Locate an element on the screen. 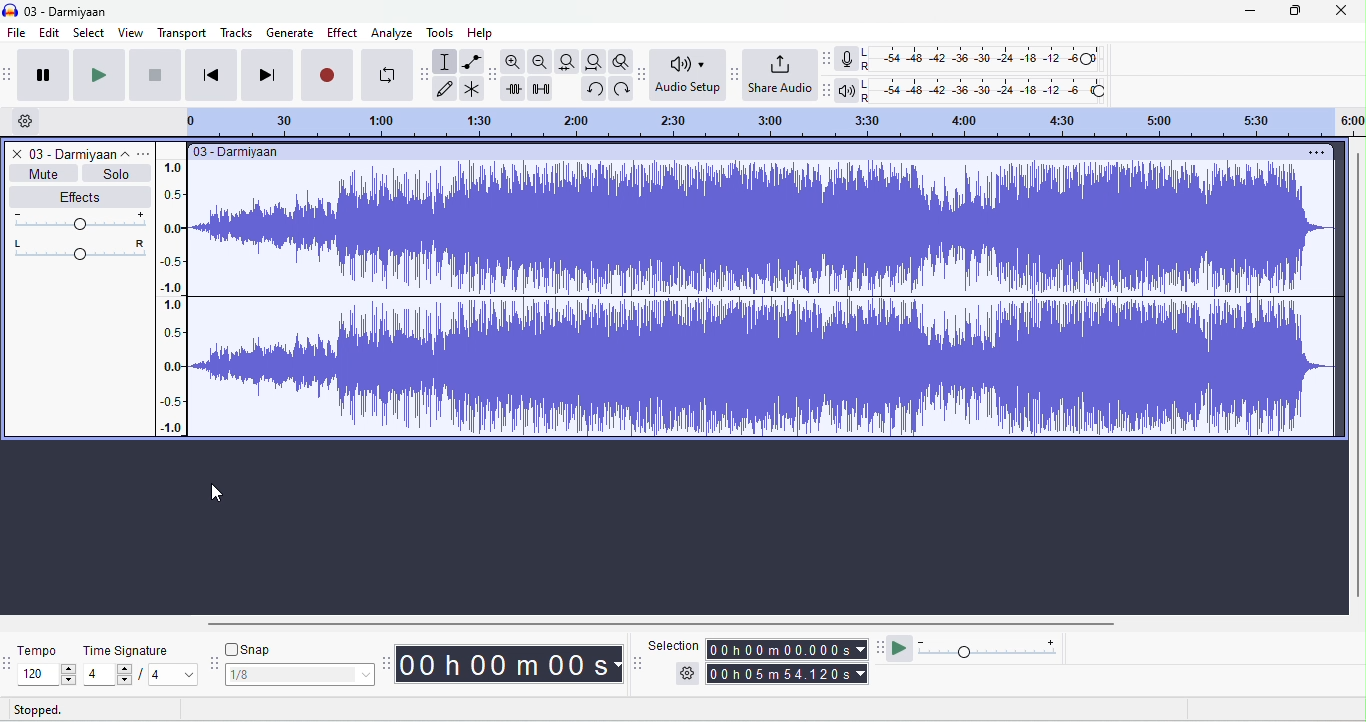 Image resolution: width=1366 pixels, height=722 pixels. vertical scroll bar is located at coordinates (1357, 379).